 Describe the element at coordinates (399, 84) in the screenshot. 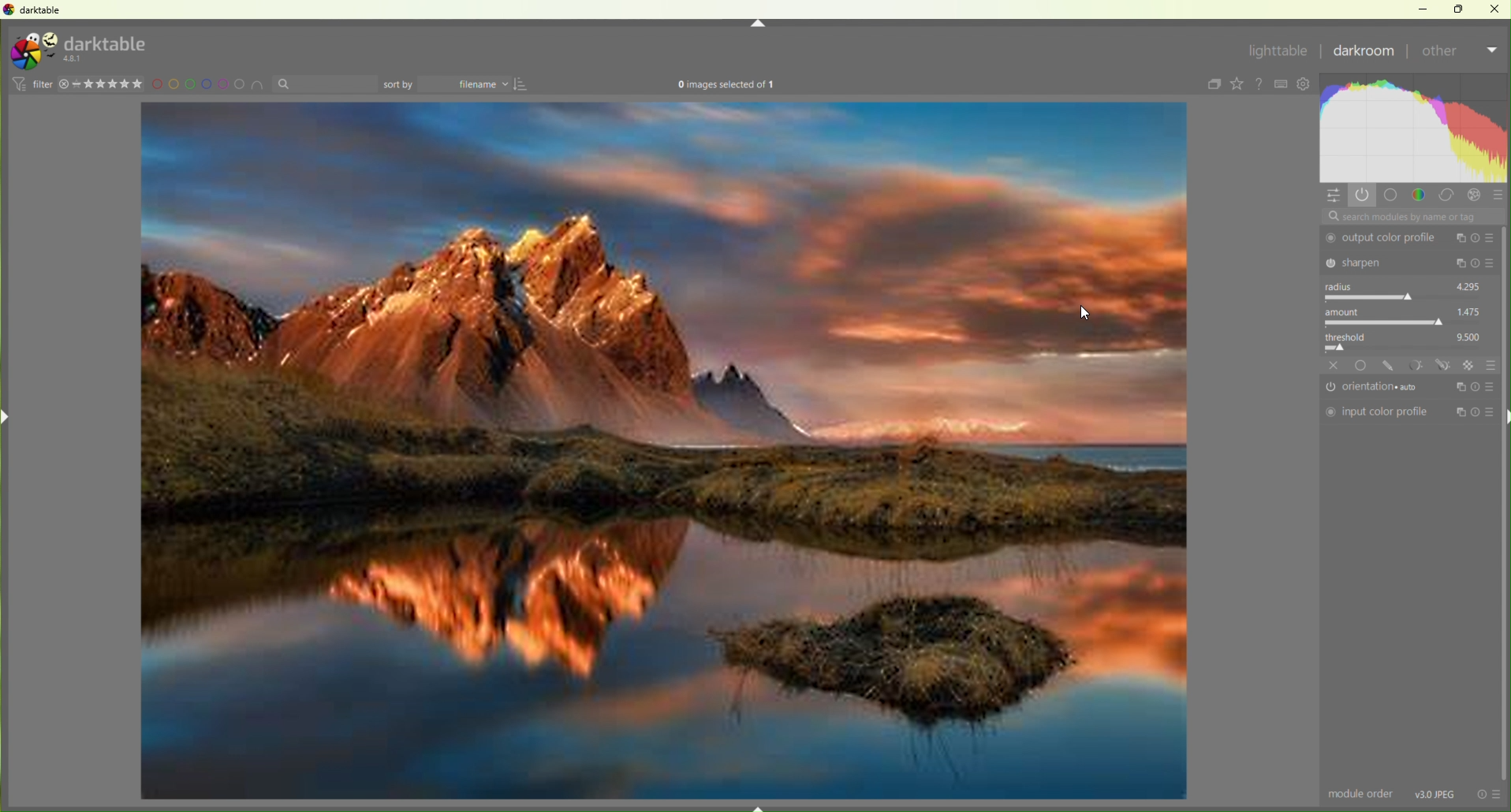

I see `sort by` at that location.